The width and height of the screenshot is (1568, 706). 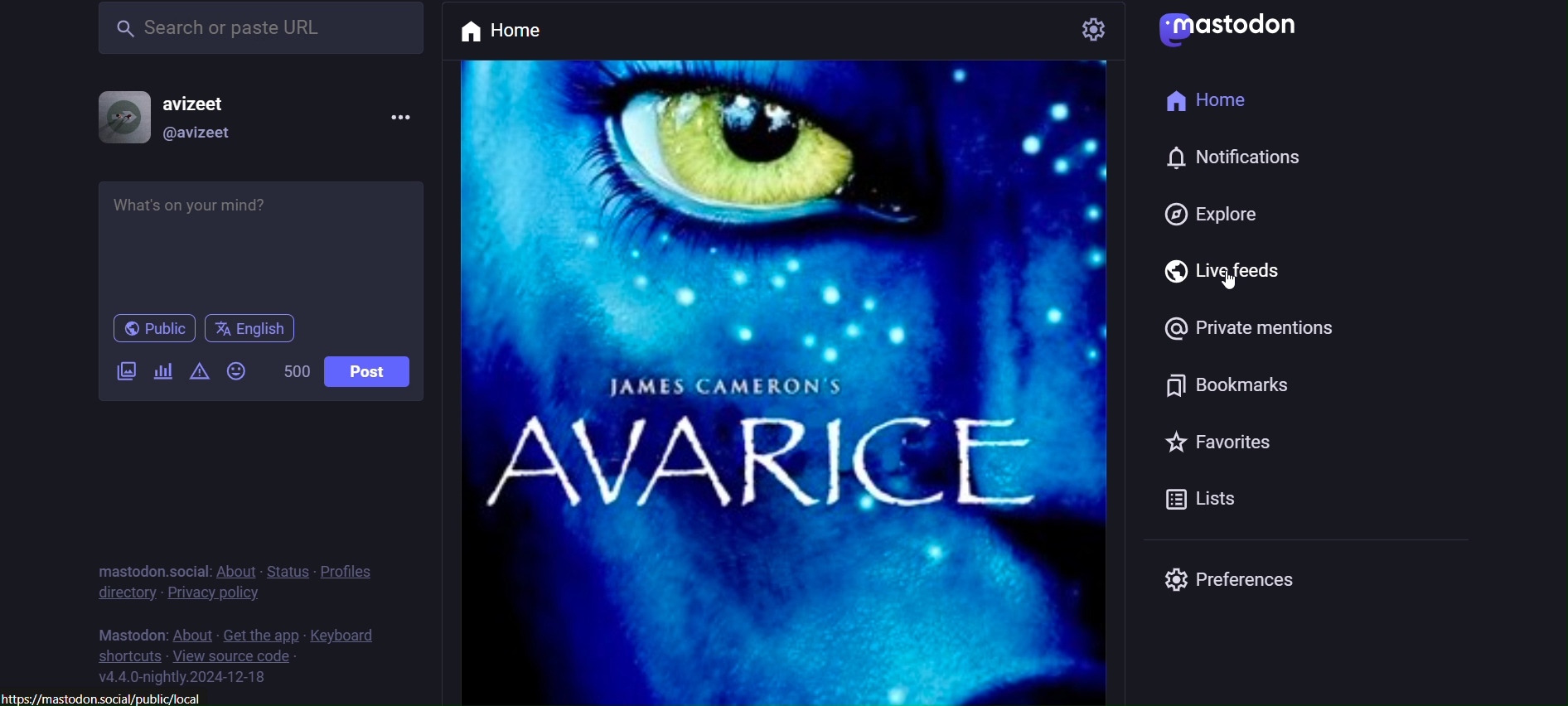 I want to click on setting, so click(x=1091, y=31).